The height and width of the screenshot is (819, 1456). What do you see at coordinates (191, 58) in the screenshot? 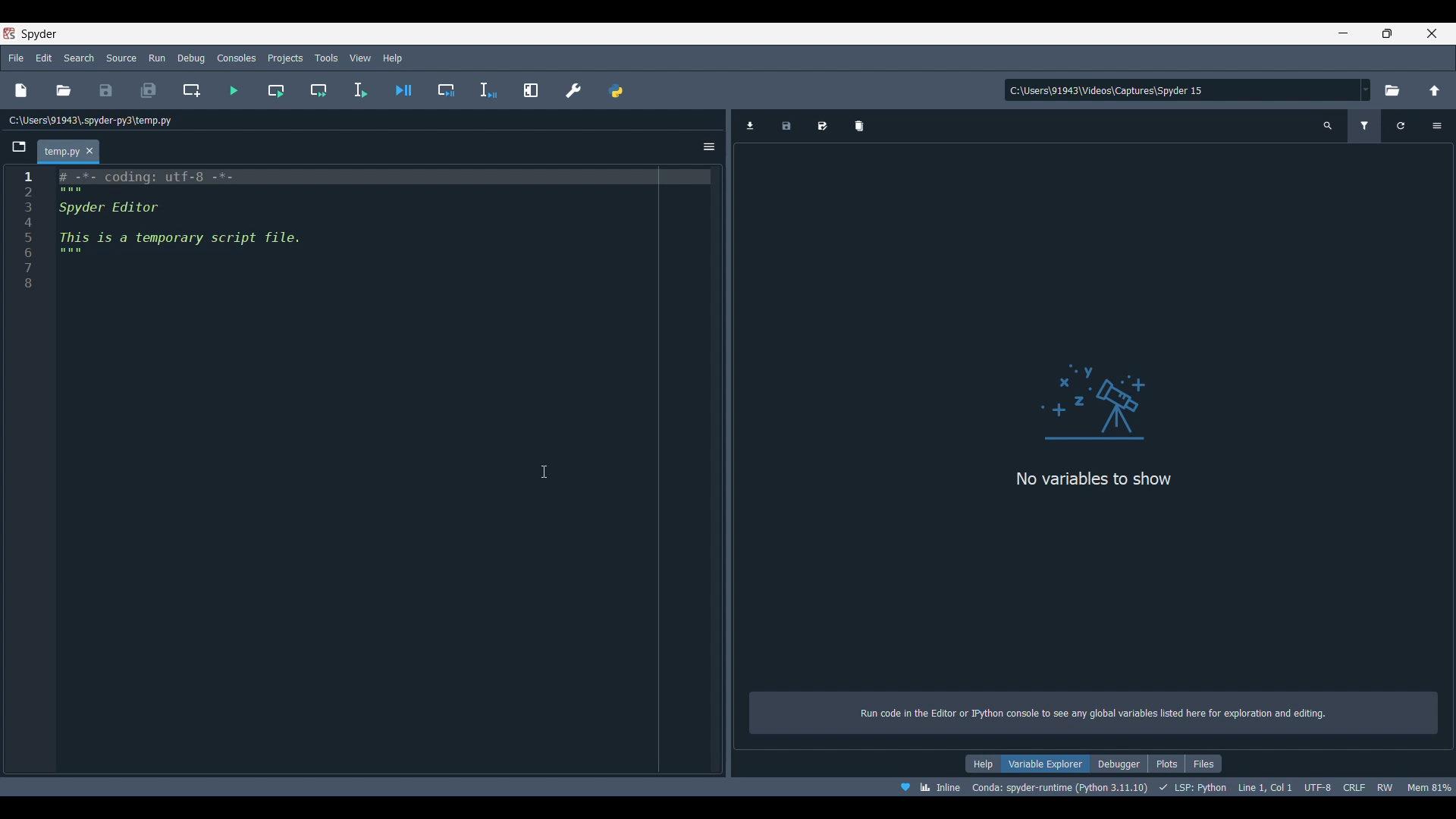
I see `Debug menu` at bounding box center [191, 58].